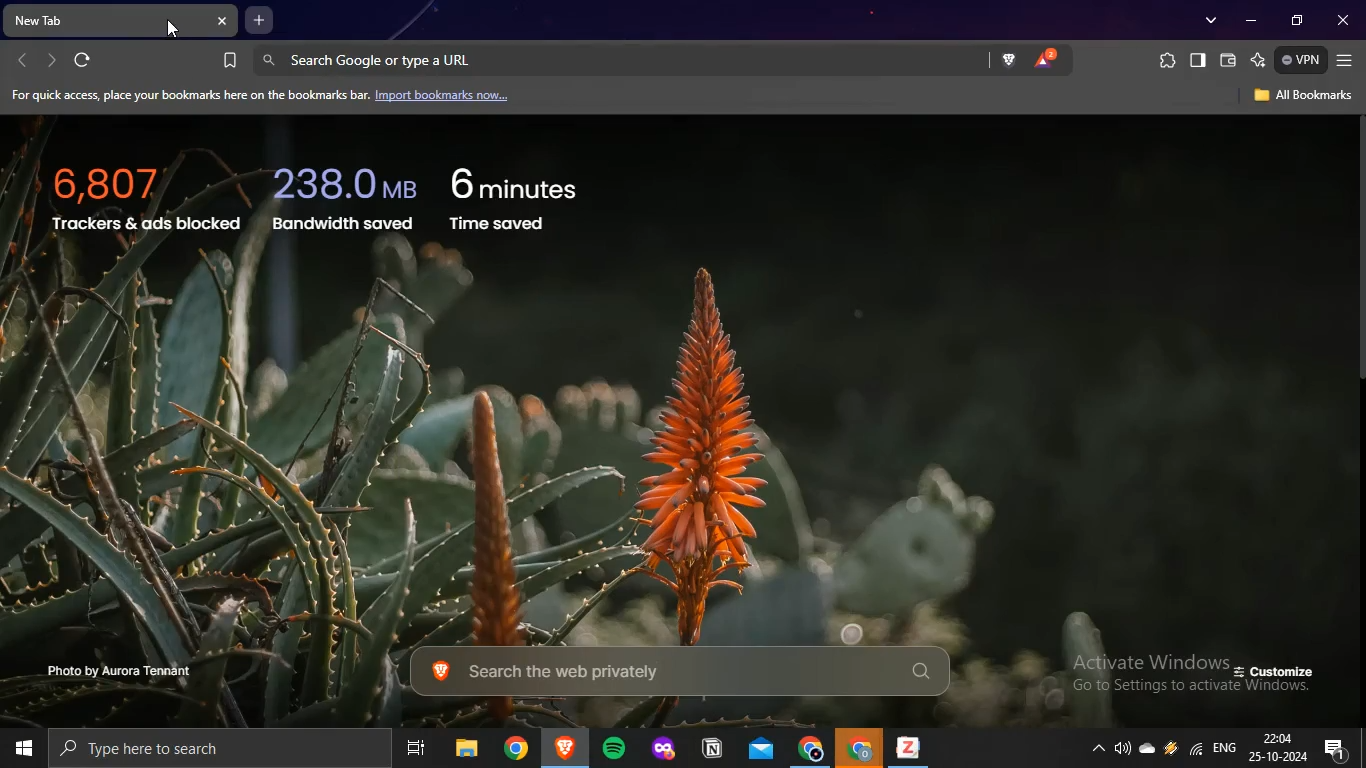 Image resolution: width=1366 pixels, height=768 pixels. What do you see at coordinates (1346, 62) in the screenshot?
I see `customize and control brave` at bounding box center [1346, 62].